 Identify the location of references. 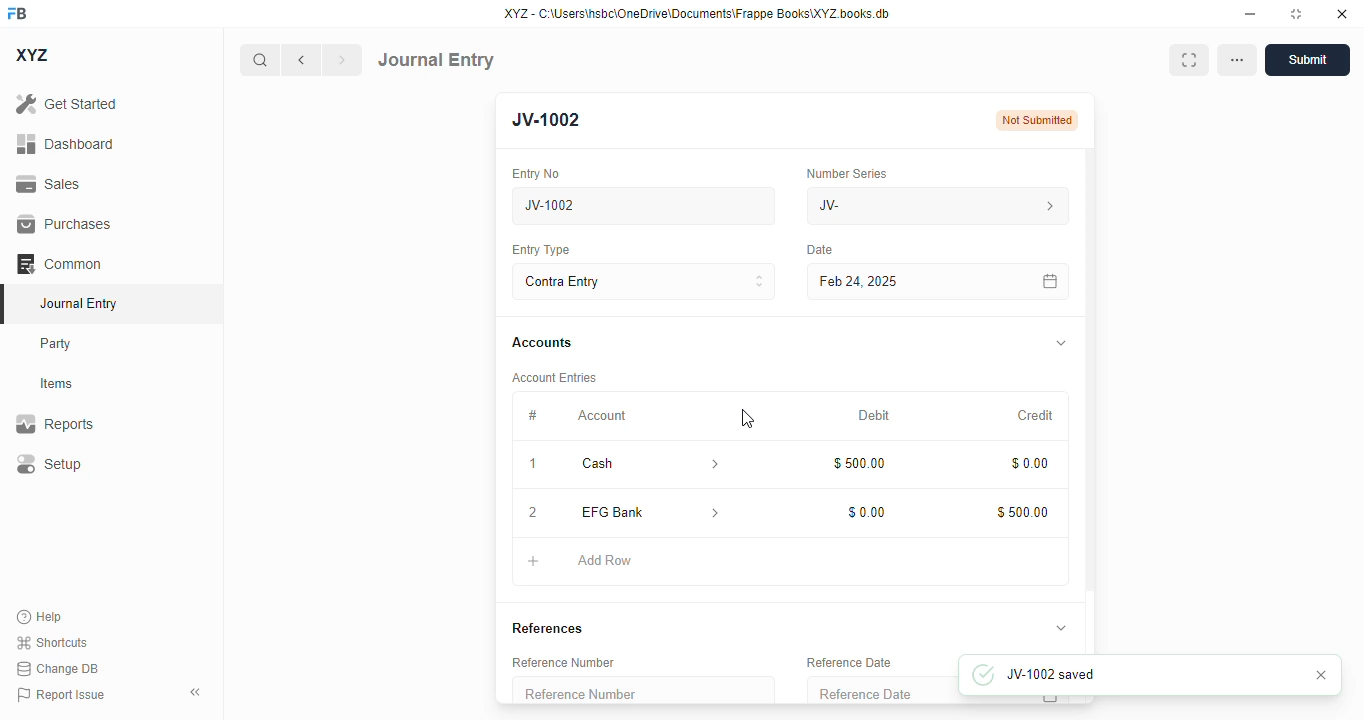
(548, 628).